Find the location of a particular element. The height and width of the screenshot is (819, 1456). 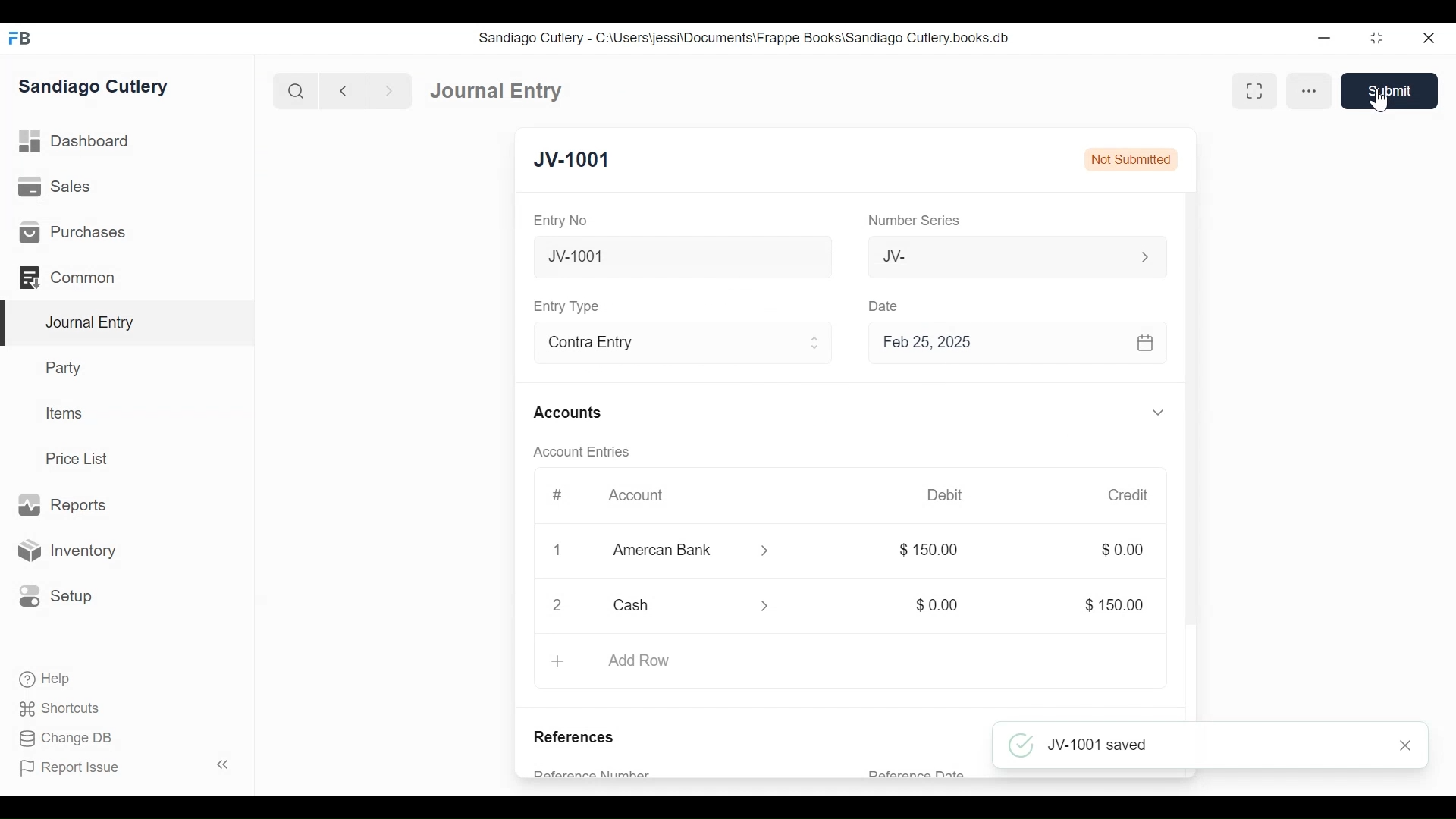

Expand is located at coordinates (773, 608).